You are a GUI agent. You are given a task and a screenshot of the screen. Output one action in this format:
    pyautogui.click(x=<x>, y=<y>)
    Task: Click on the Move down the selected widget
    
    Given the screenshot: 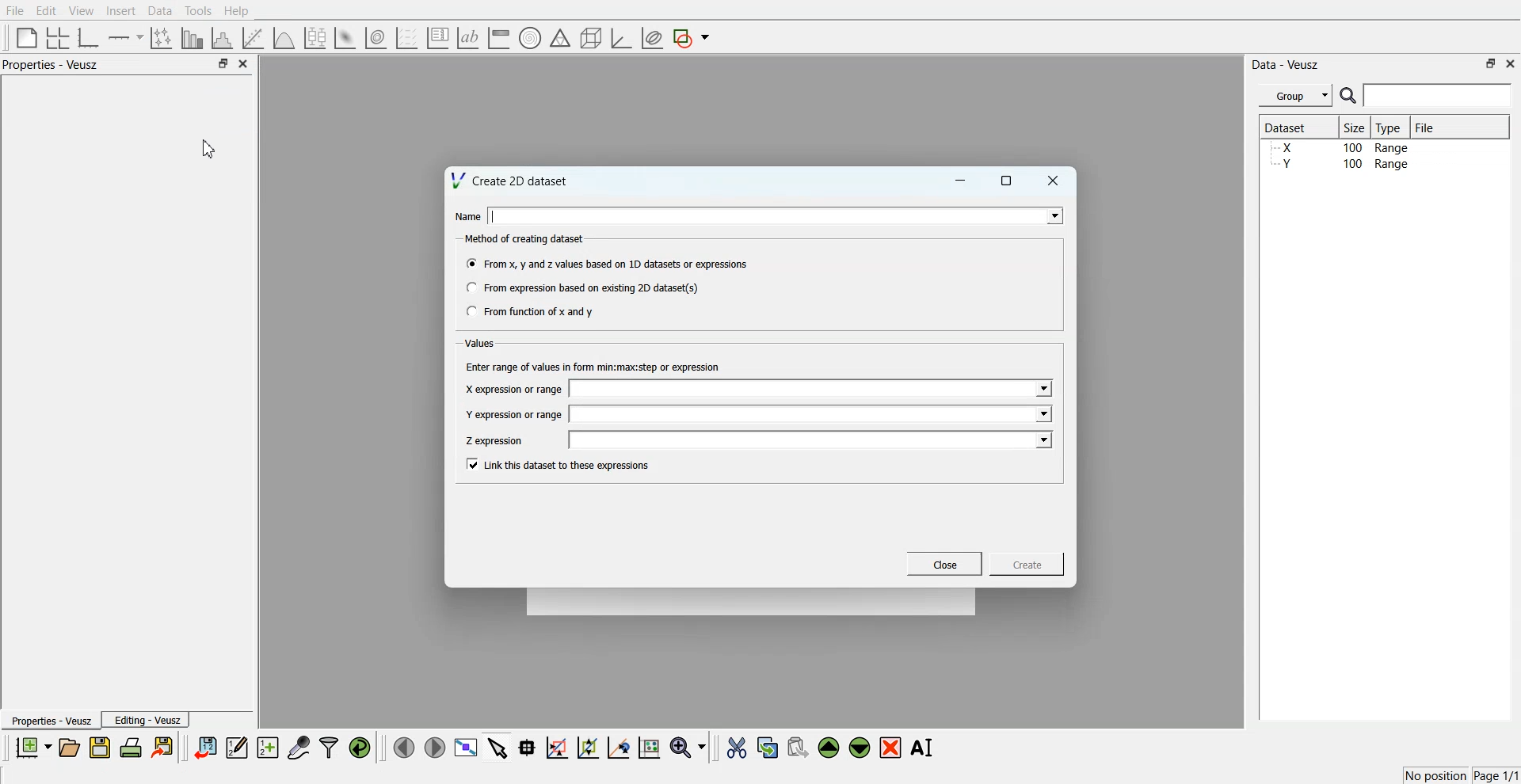 What is the action you would take?
    pyautogui.click(x=860, y=748)
    